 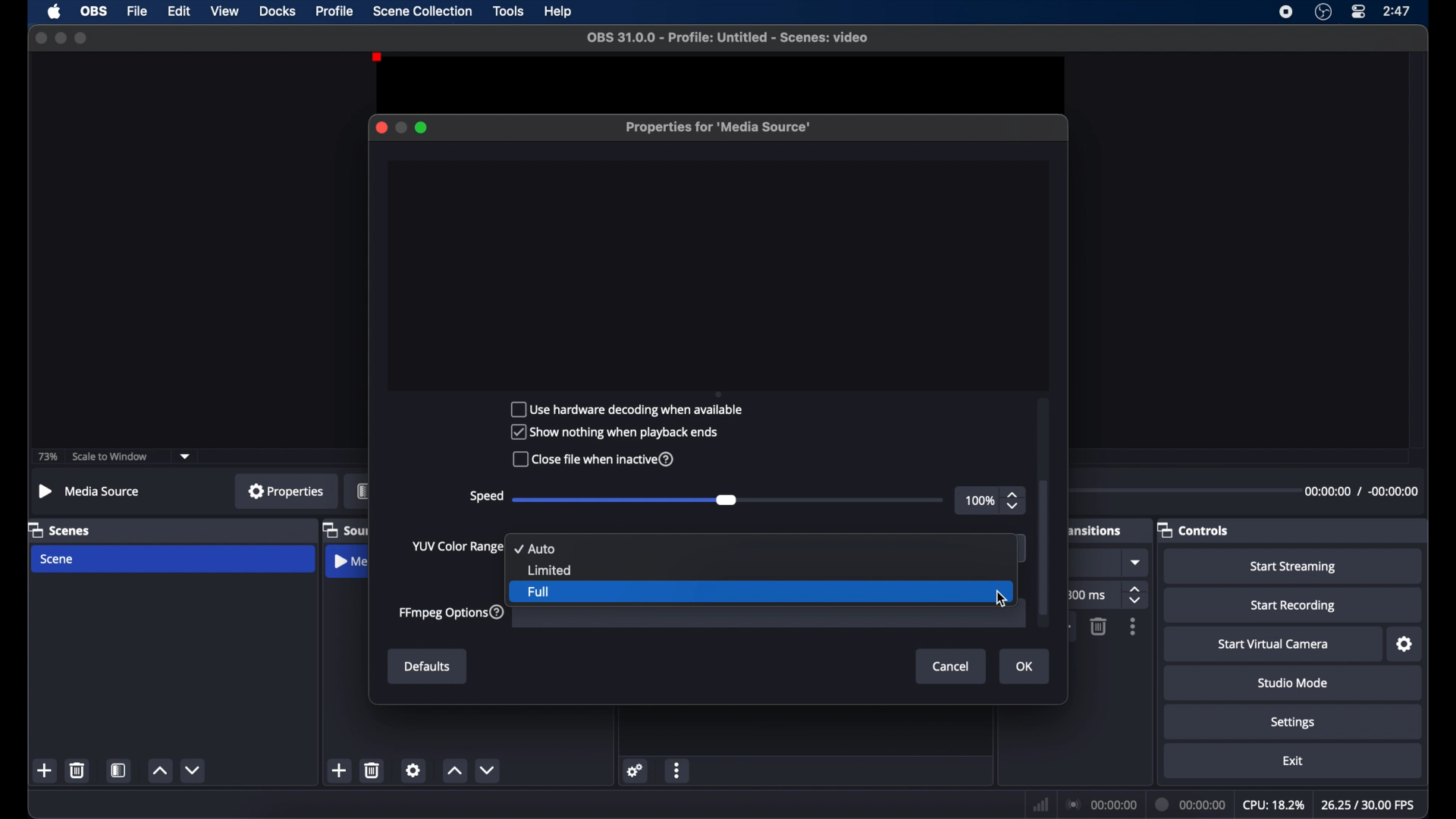 What do you see at coordinates (1000, 598) in the screenshot?
I see `cursor` at bounding box center [1000, 598].